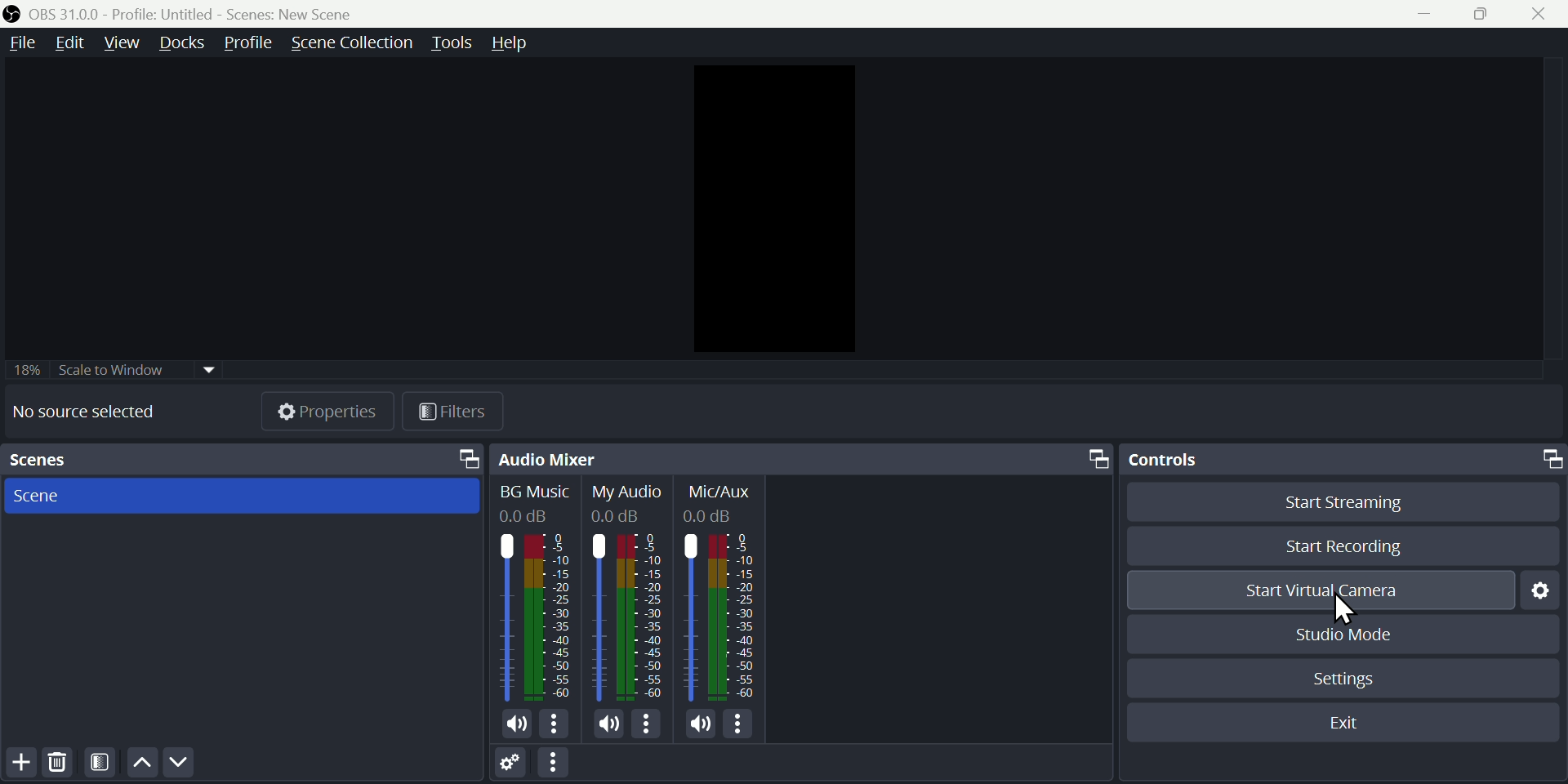 The image size is (1568, 784). Describe the element at coordinates (328, 409) in the screenshot. I see `Properties` at that location.